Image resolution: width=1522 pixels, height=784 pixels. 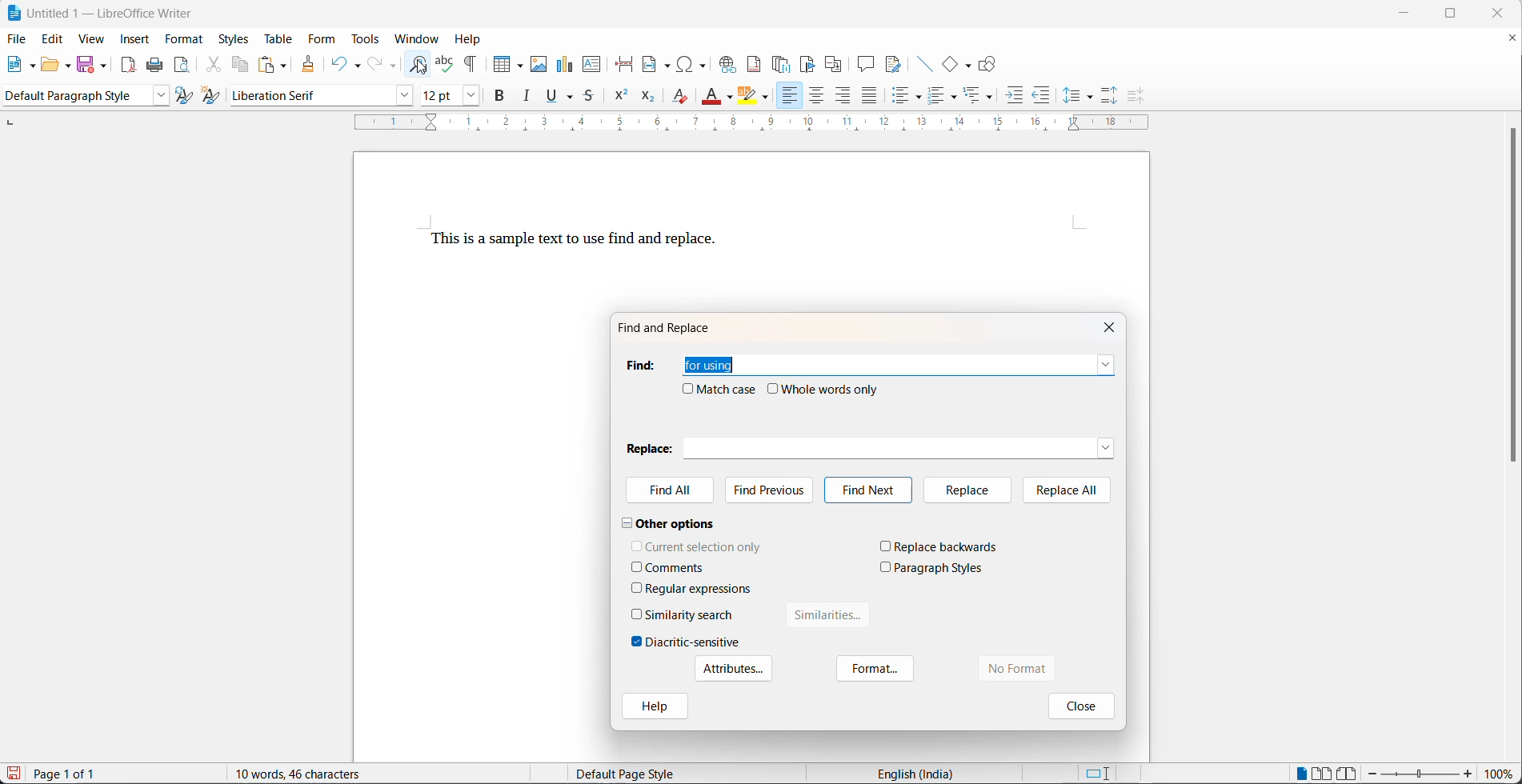 What do you see at coordinates (947, 546) in the screenshot?
I see `replace backwards` at bounding box center [947, 546].